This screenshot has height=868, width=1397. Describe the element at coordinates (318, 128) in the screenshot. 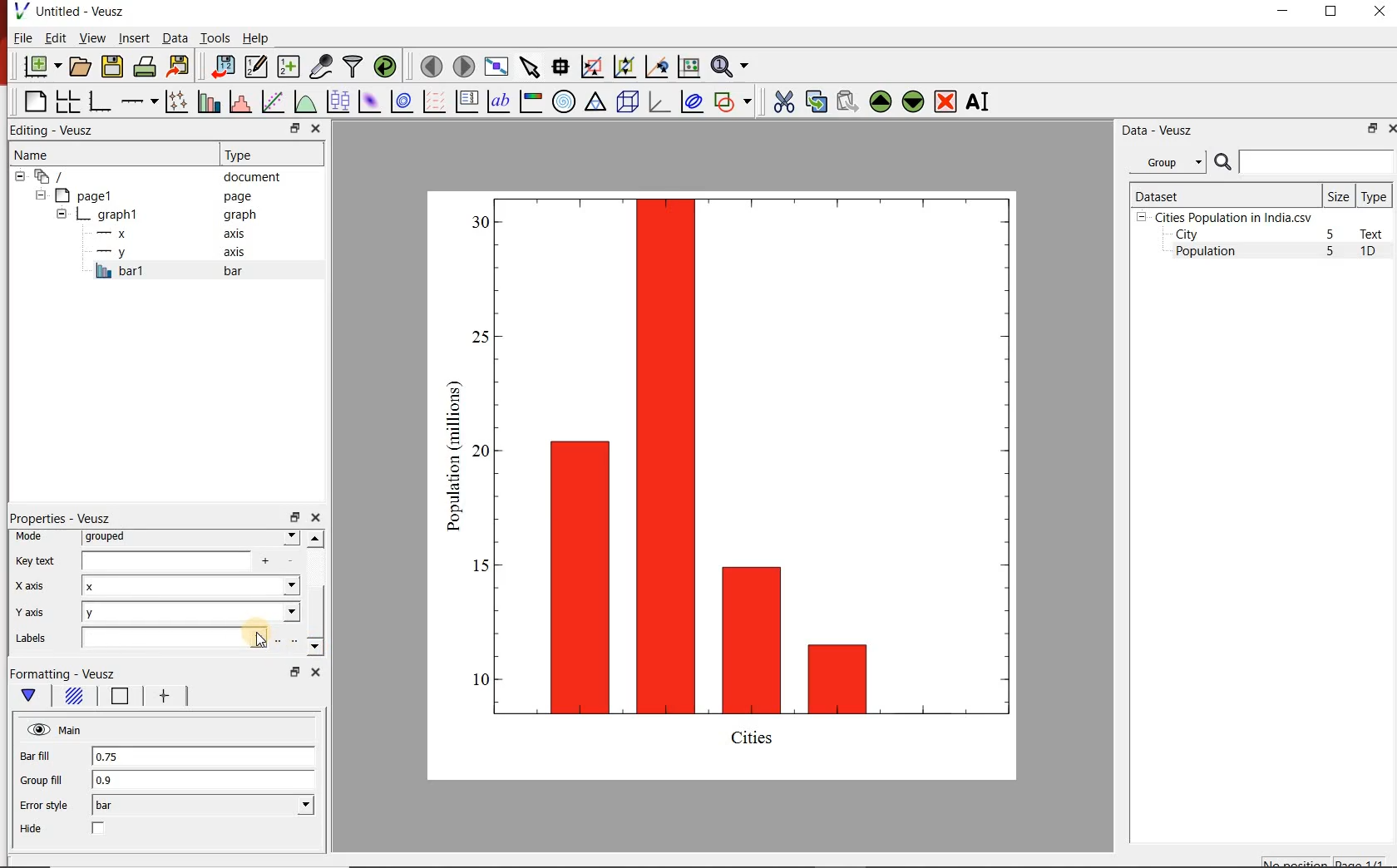

I see `close` at that location.